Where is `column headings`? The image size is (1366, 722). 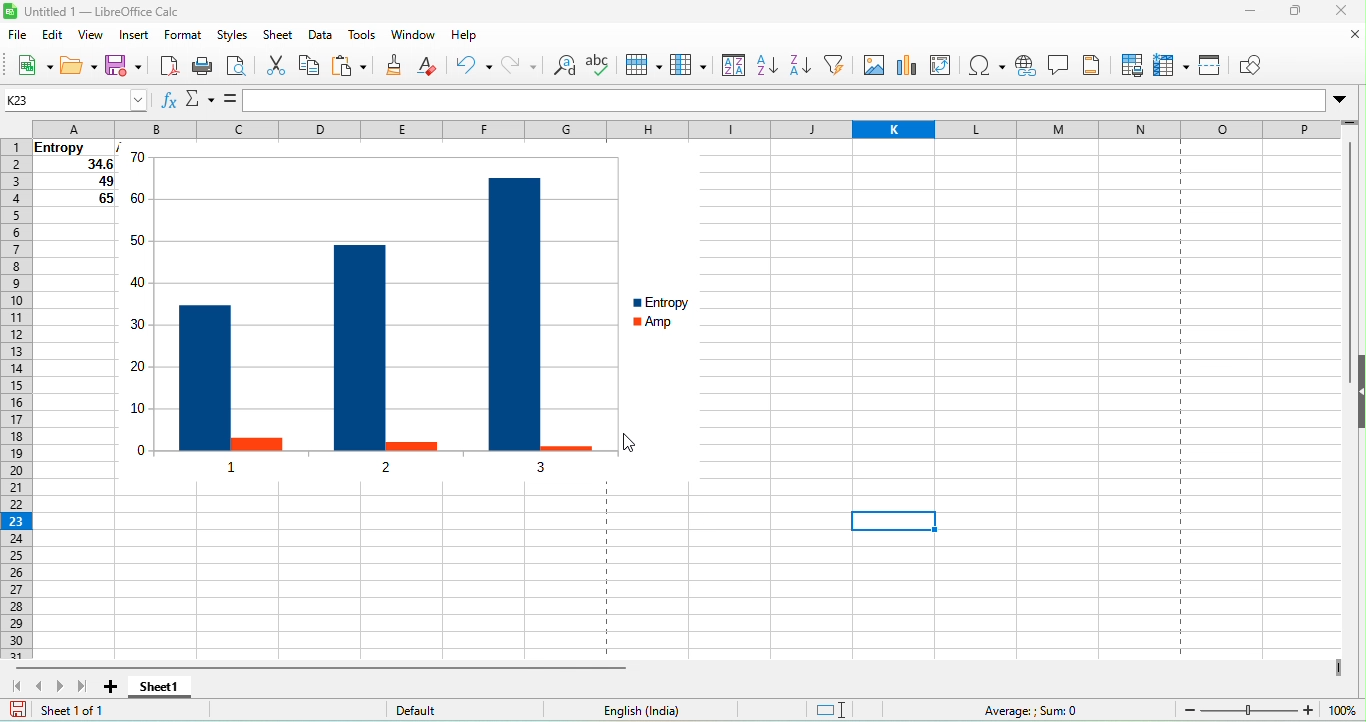
column headings is located at coordinates (686, 128).